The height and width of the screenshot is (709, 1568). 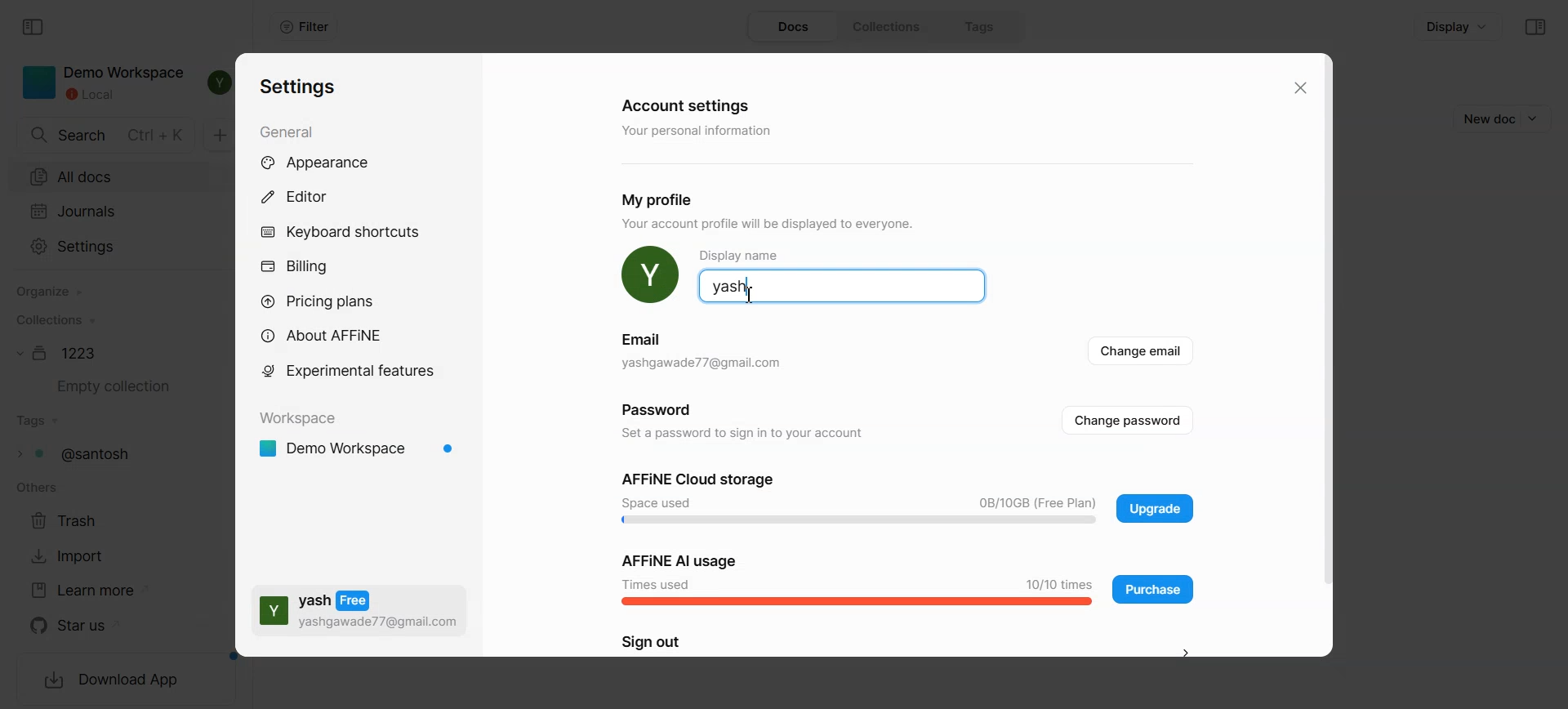 What do you see at coordinates (664, 199) in the screenshot?
I see `My profile` at bounding box center [664, 199].